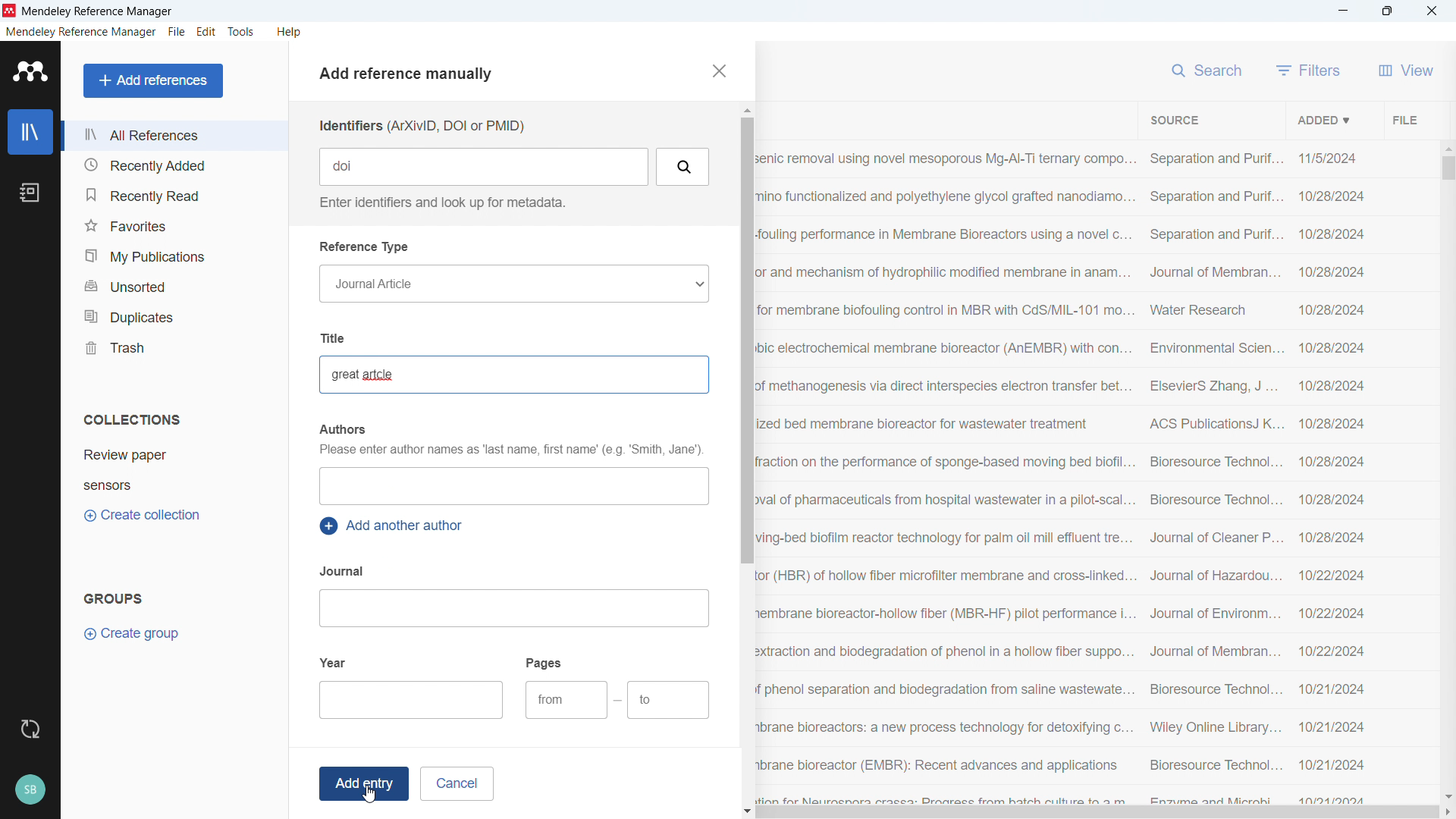 The image size is (1456, 819). Describe the element at coordinates (241, 32) in the screenshot. I see `Tools ` at that location.